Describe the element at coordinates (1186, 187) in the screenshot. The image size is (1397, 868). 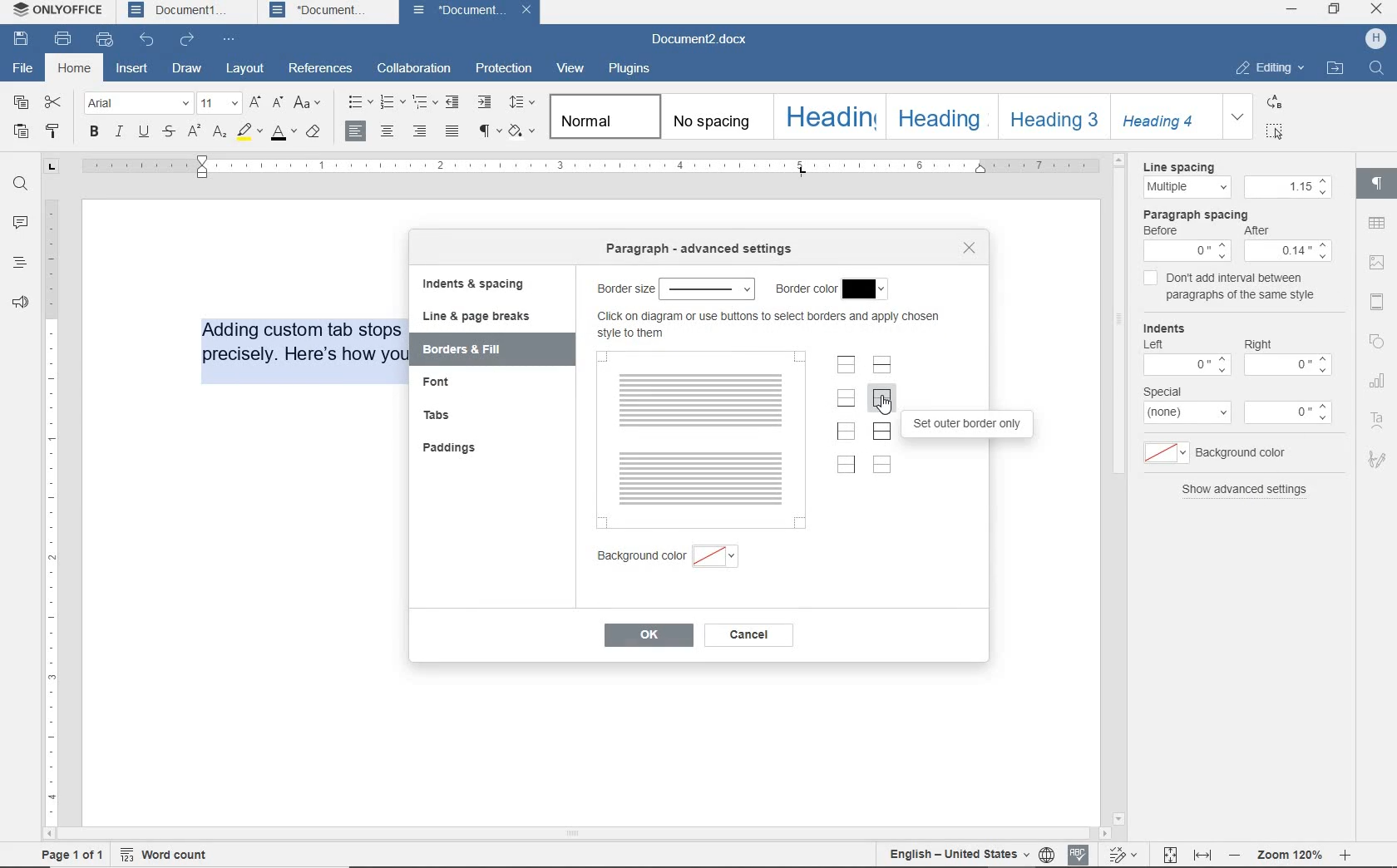
I see `multiple` at that location.